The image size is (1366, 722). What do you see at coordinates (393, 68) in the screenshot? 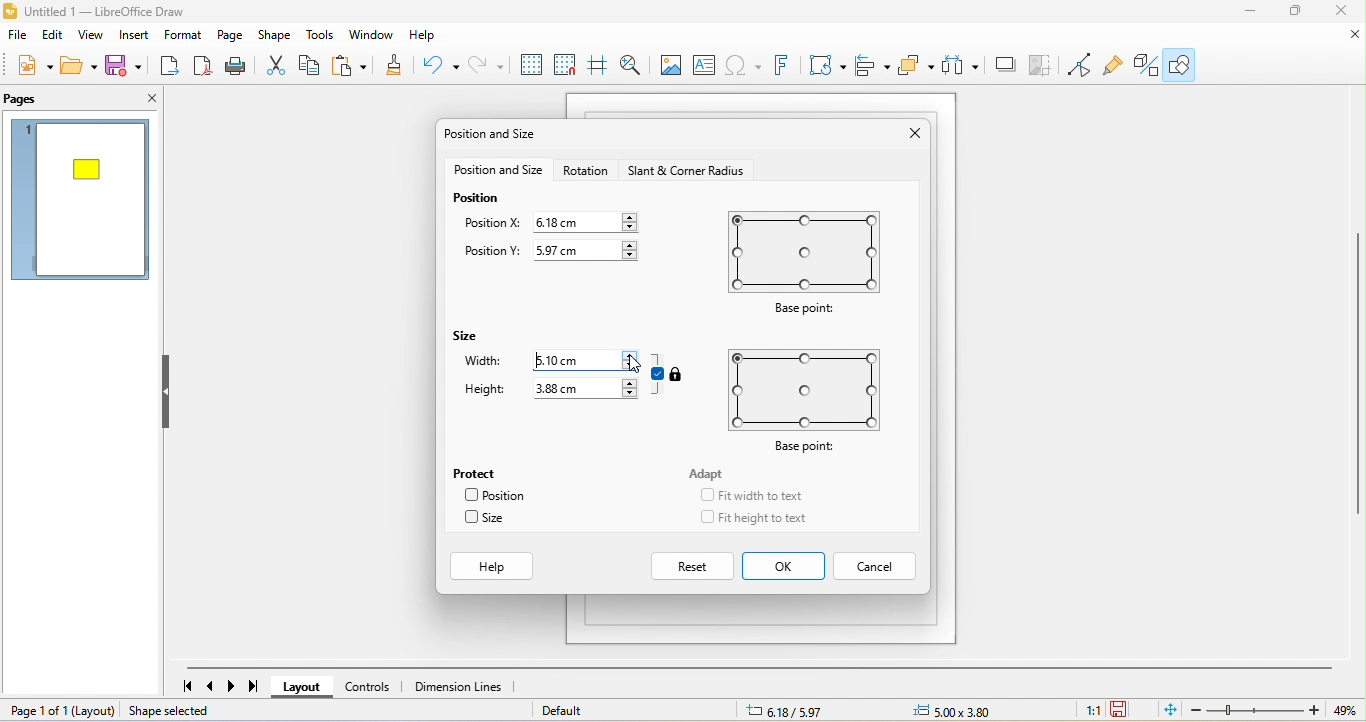
I see `clone formatting` at bounding box center [393, 68].